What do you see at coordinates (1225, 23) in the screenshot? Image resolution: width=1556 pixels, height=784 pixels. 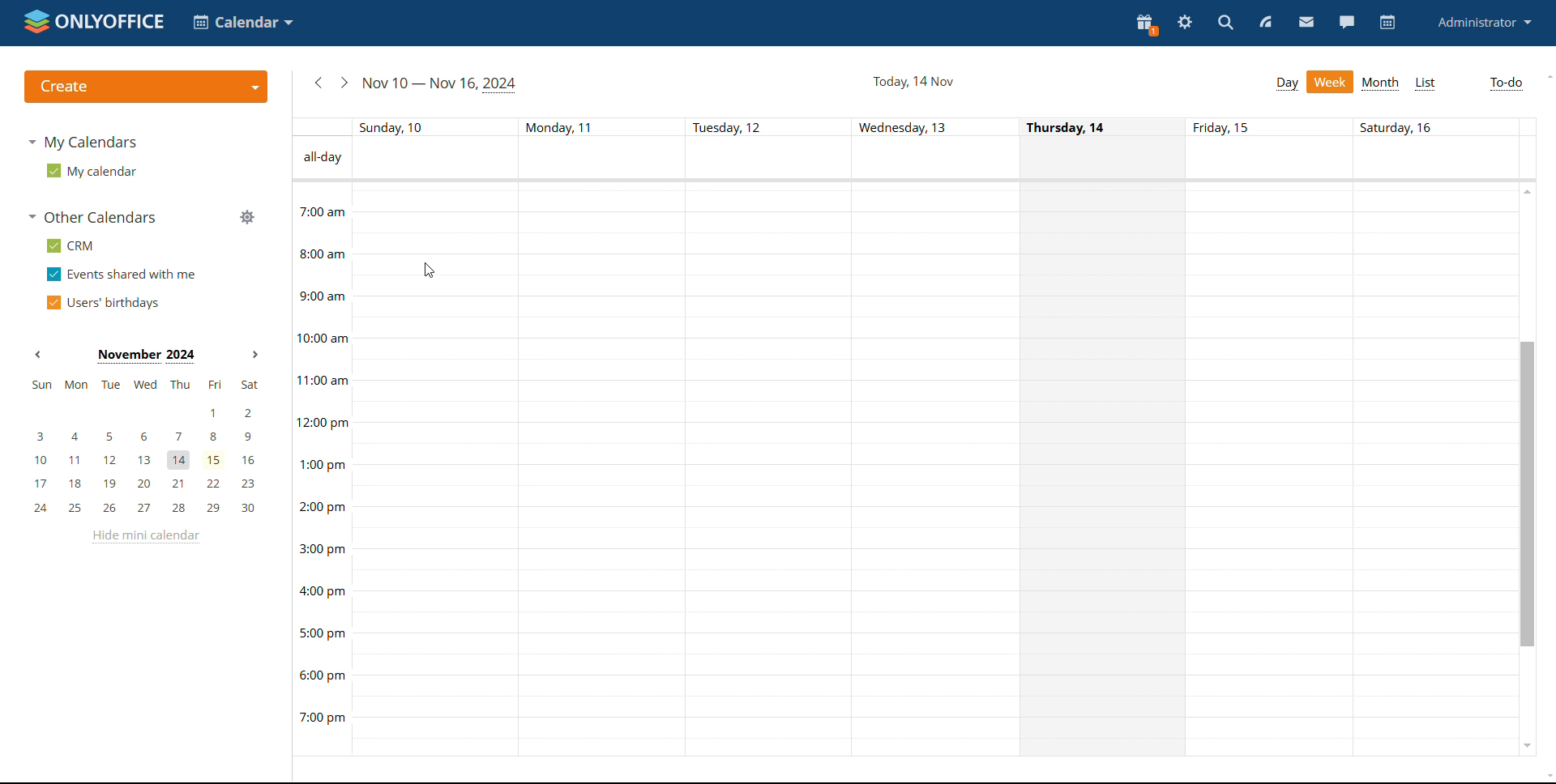 I see `search` at bounding box center [1225, 23].